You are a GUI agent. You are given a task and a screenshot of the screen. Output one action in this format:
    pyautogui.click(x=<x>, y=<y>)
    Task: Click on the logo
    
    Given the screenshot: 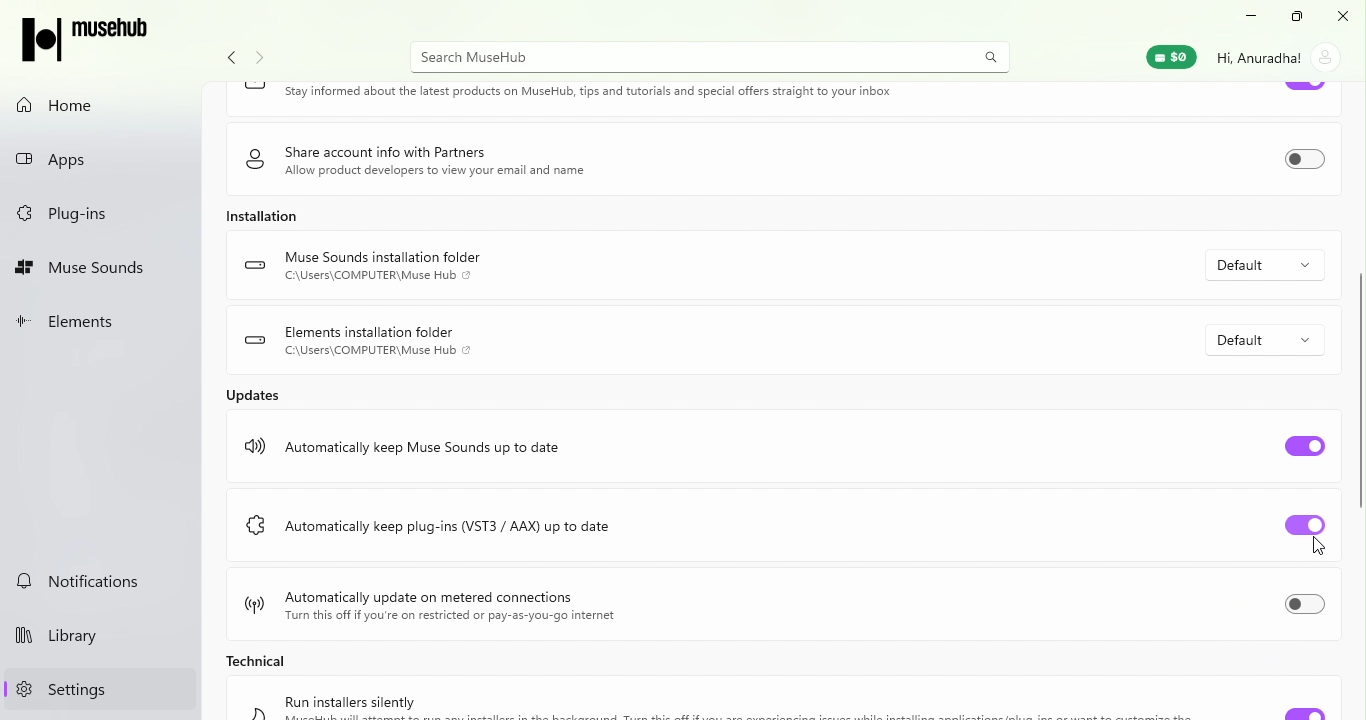 What is the action you would take?
    pyautogui.click(x=256, y=524)
    